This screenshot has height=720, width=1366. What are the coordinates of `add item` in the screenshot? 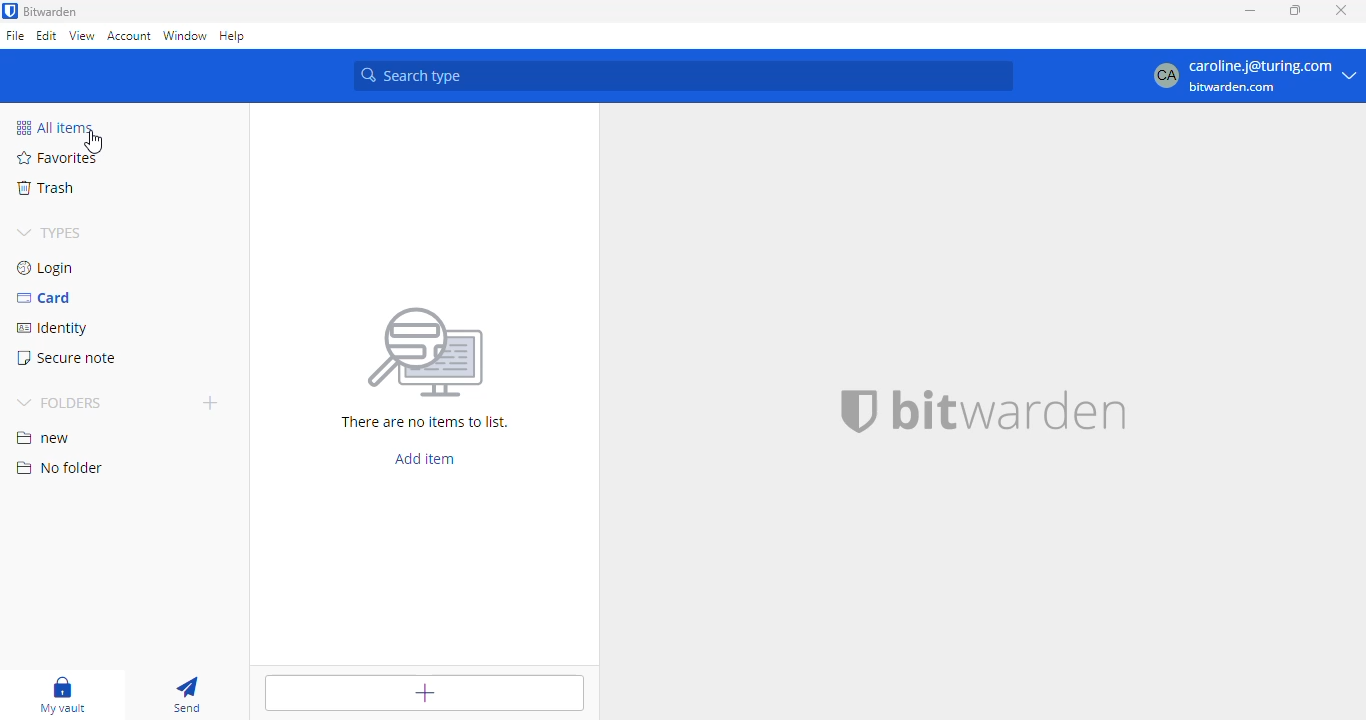 It's located at (425, 458).